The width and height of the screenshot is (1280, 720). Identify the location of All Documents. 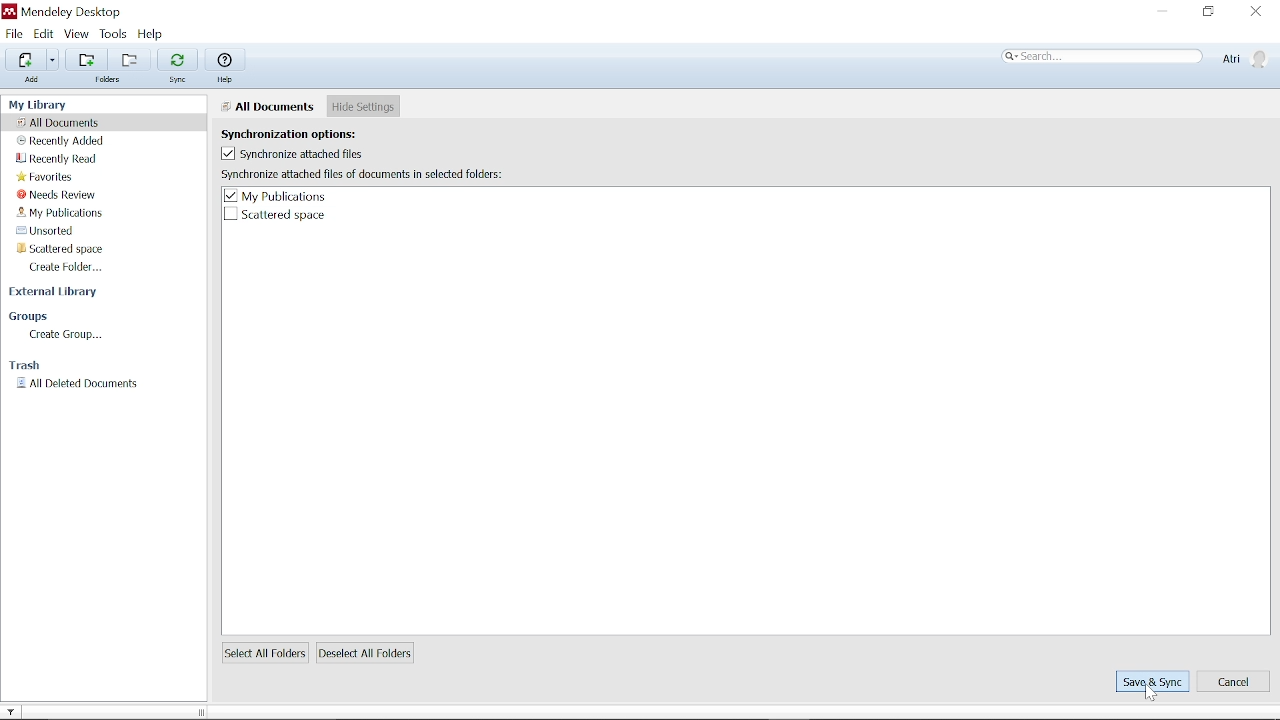
(268, 106).